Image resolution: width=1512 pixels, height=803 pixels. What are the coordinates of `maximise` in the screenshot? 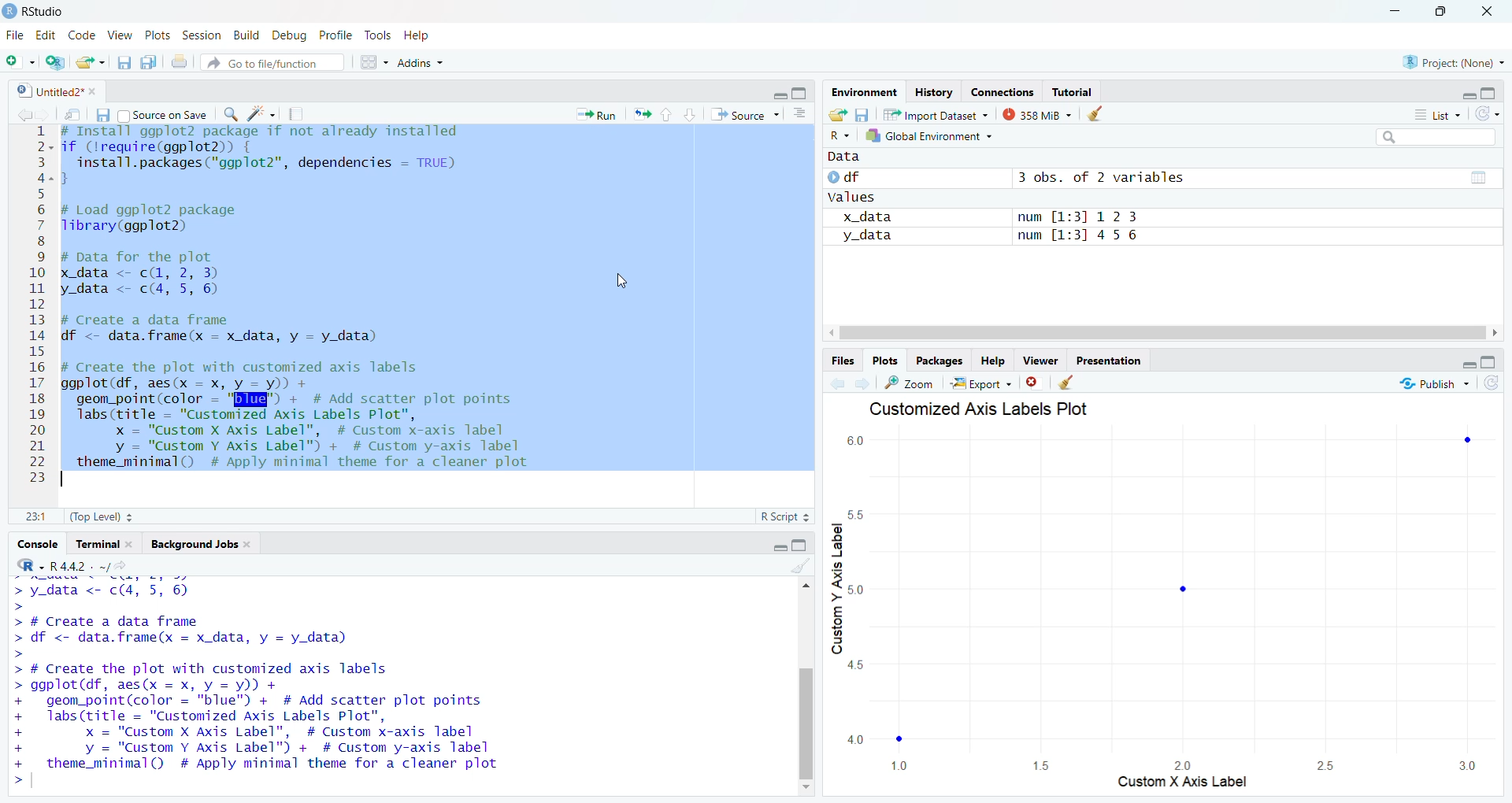 It's located at (1444, 12).